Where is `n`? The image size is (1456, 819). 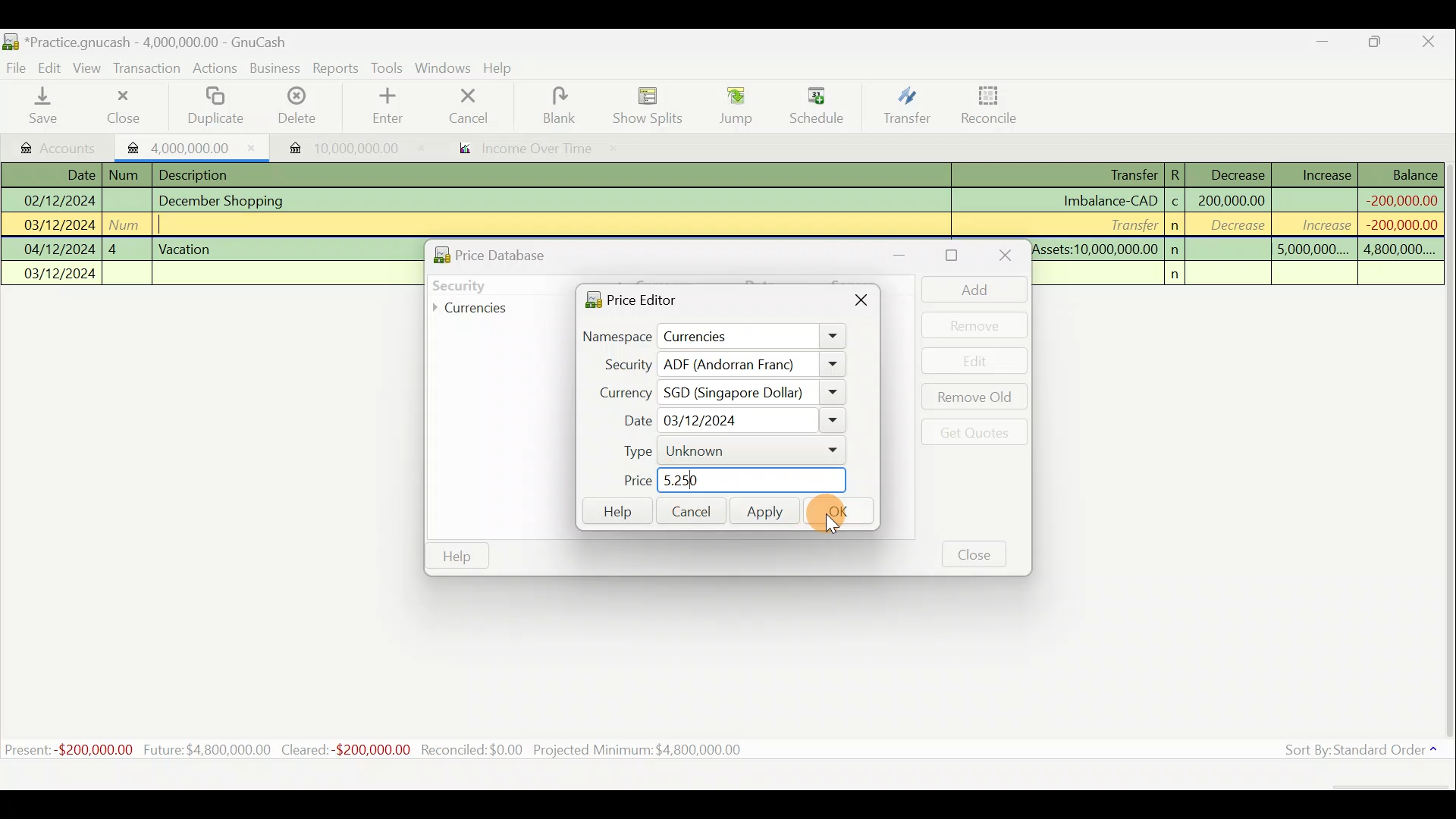
n is located at coordinates (1177, 226).